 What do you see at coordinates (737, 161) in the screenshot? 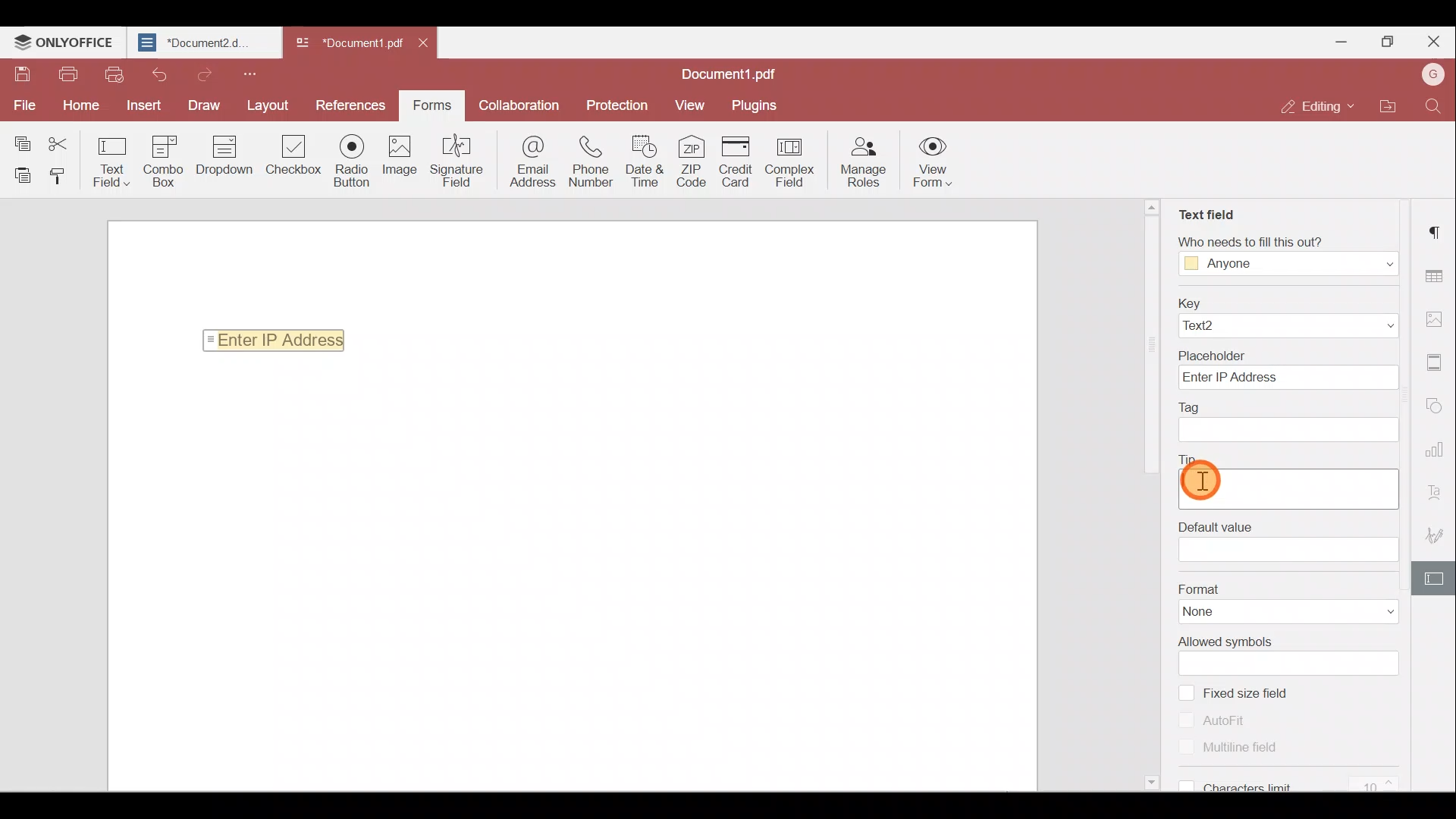
I see `Credit card` at bounding box center [737, 161].